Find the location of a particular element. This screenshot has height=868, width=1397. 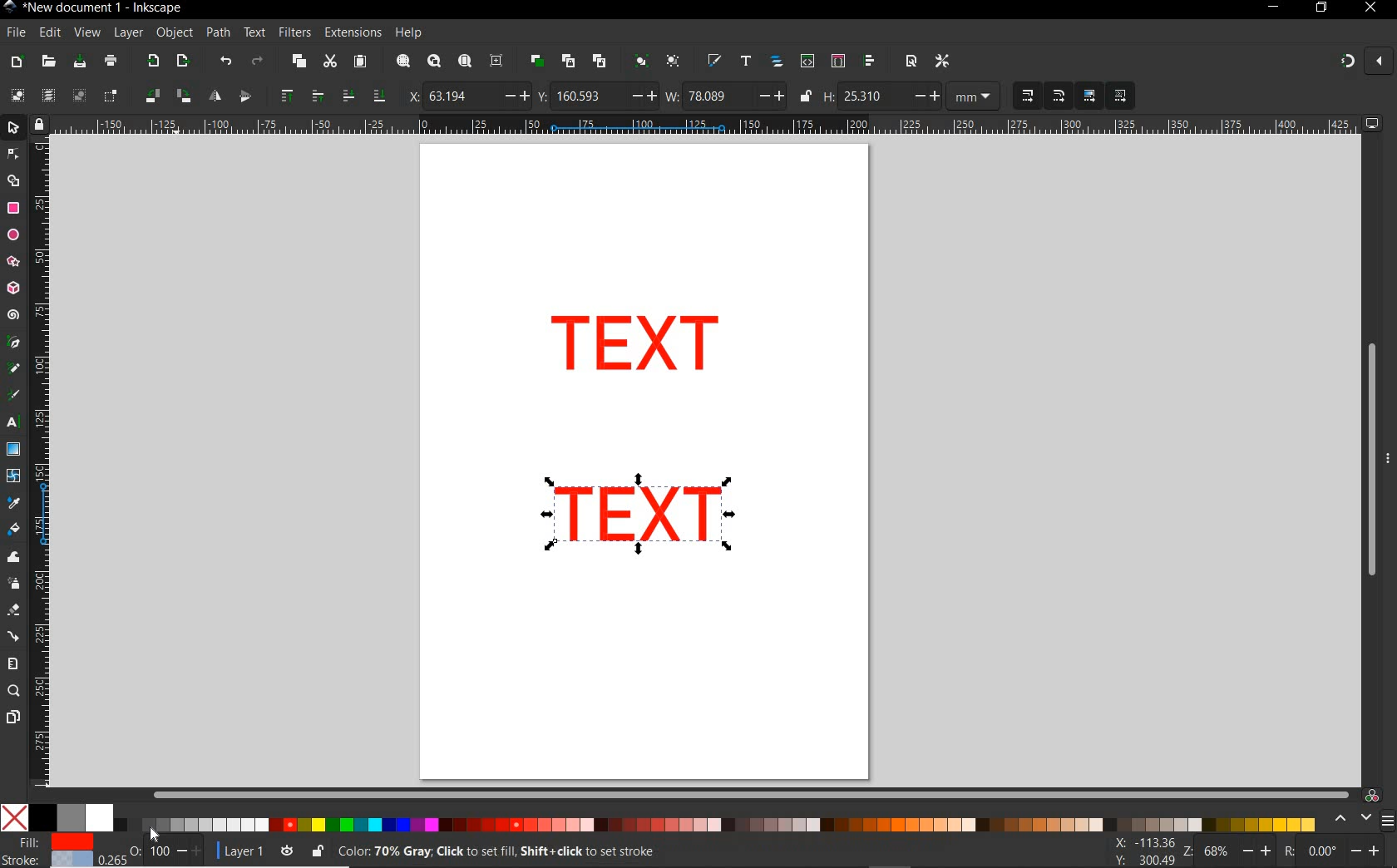

pencil tool is located at coordinates (15, 369).